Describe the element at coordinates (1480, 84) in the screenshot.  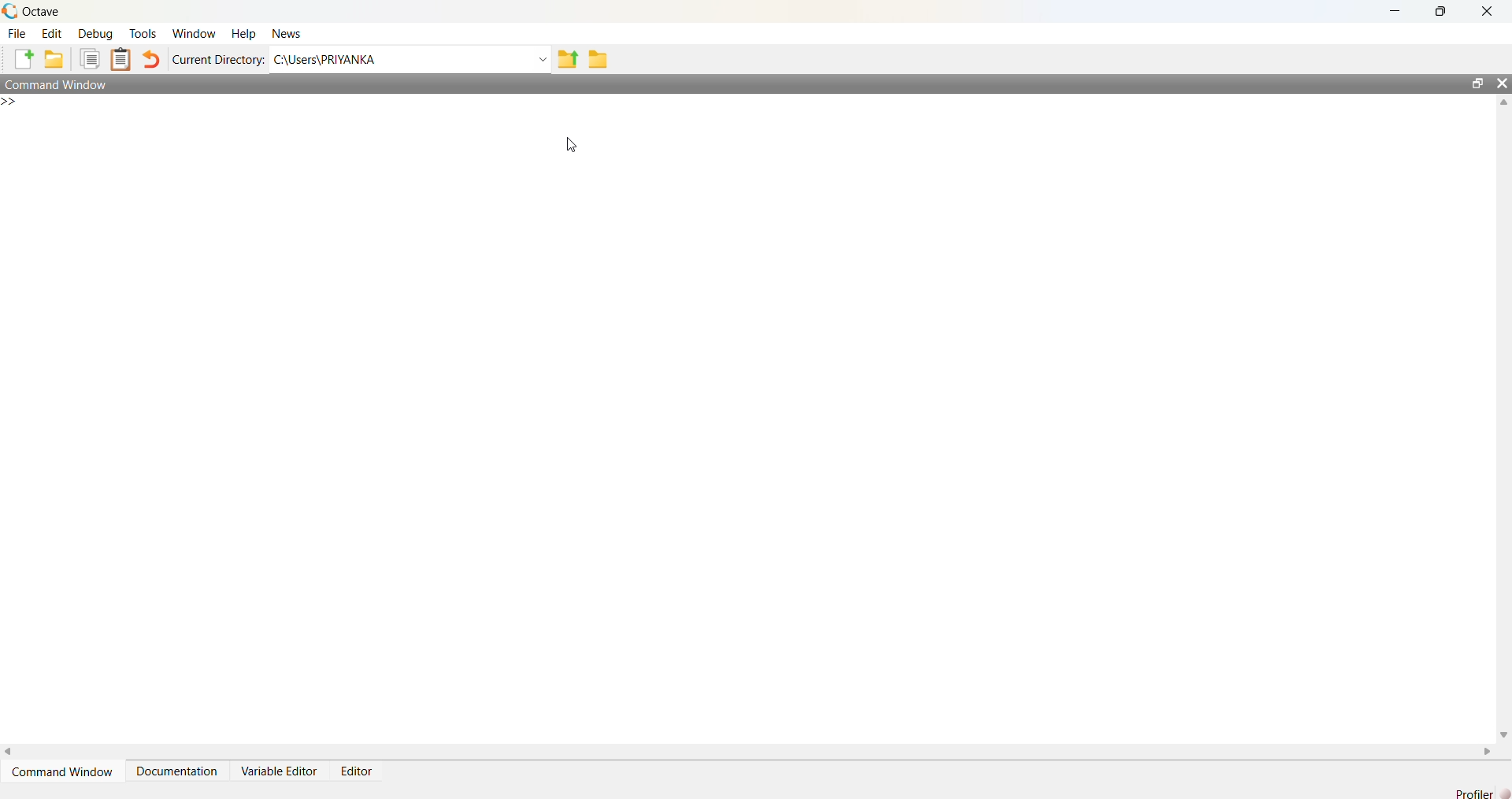
I see `Maximize / Restore` at that location.